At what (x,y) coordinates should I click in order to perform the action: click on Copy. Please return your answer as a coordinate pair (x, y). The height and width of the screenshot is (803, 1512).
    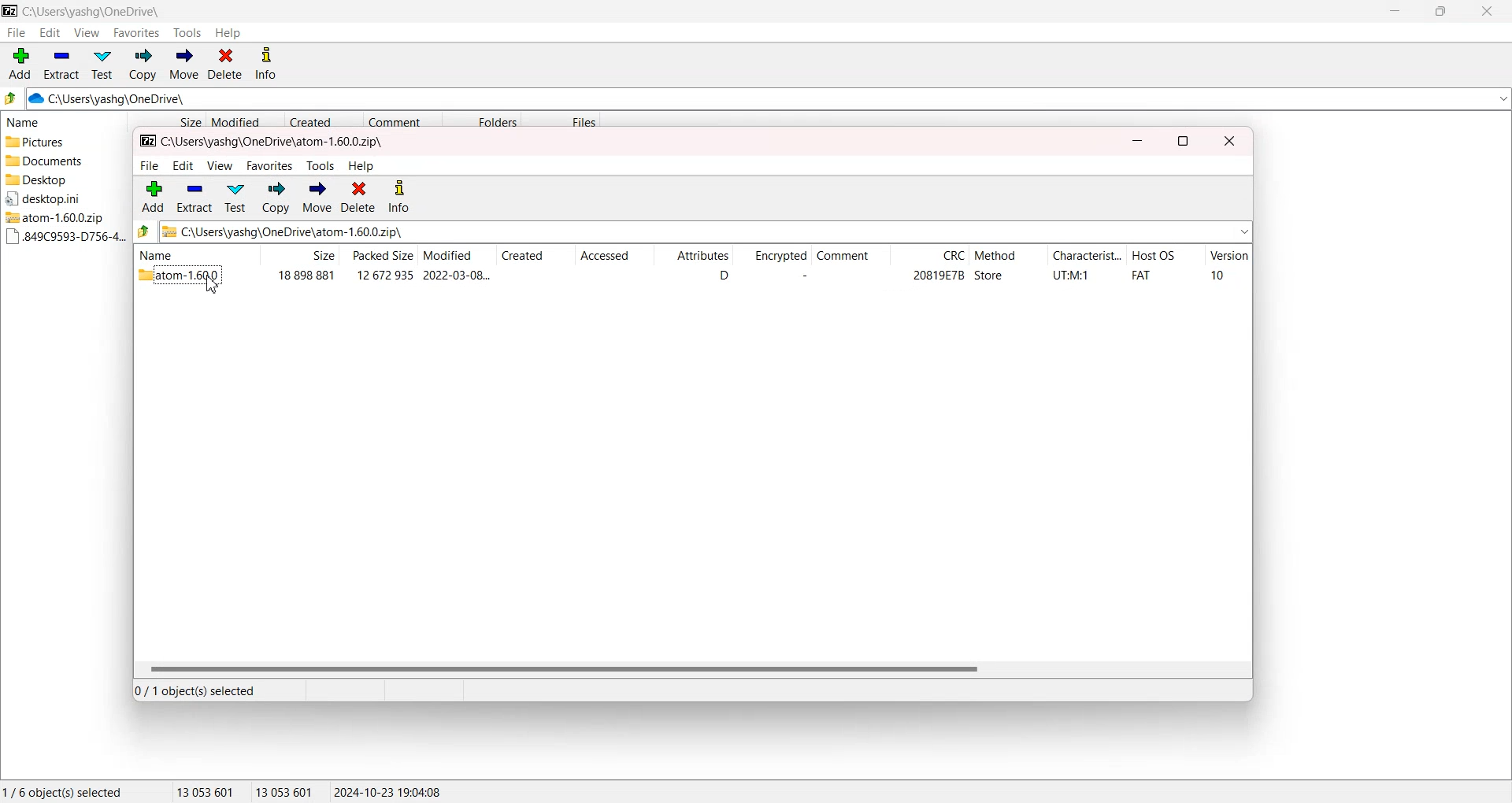
    Looking at the image, I should click on (142, 65).